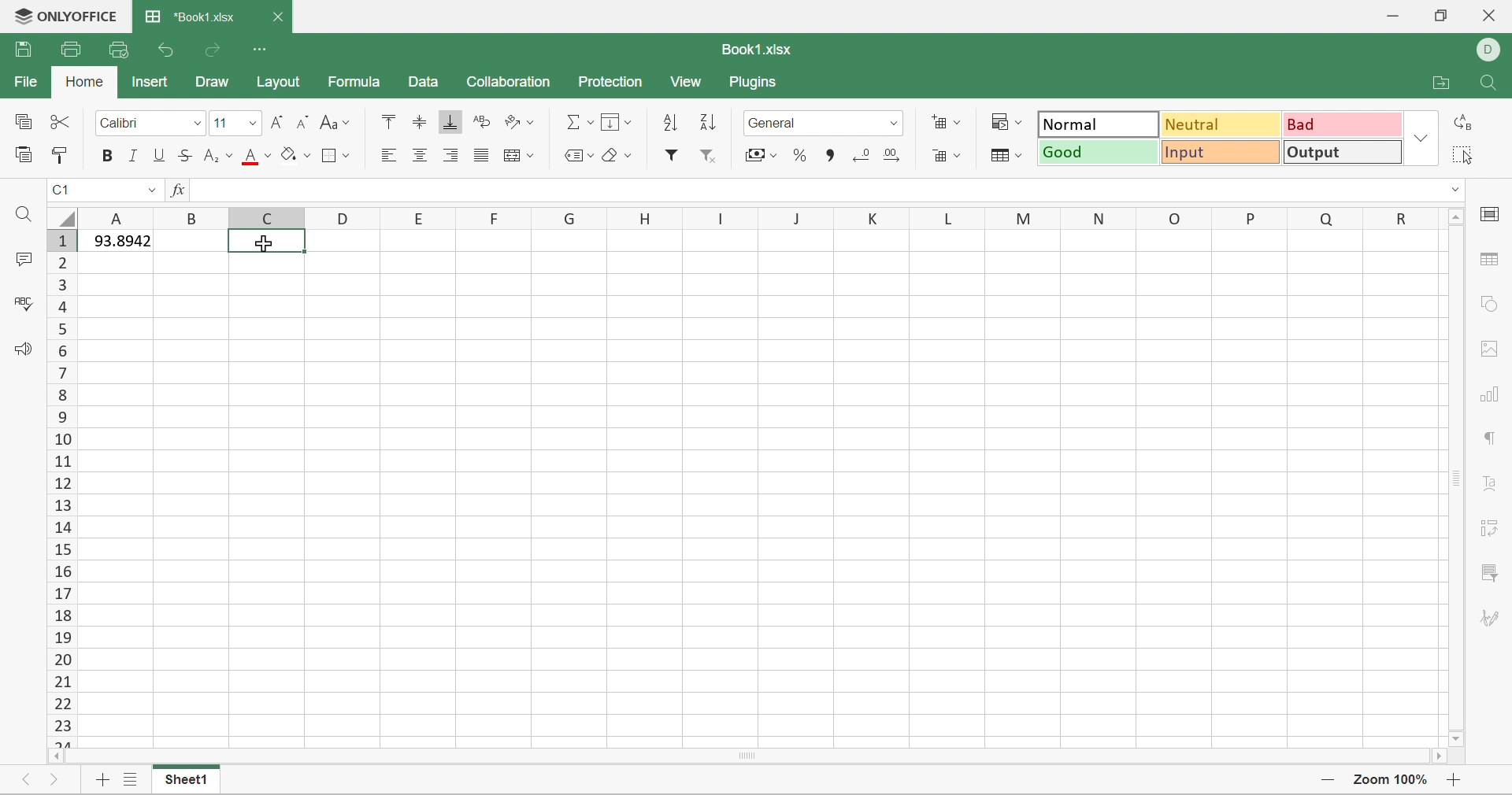 The image size is (1512, 795). I want to click on Comments, so click(22, 260).